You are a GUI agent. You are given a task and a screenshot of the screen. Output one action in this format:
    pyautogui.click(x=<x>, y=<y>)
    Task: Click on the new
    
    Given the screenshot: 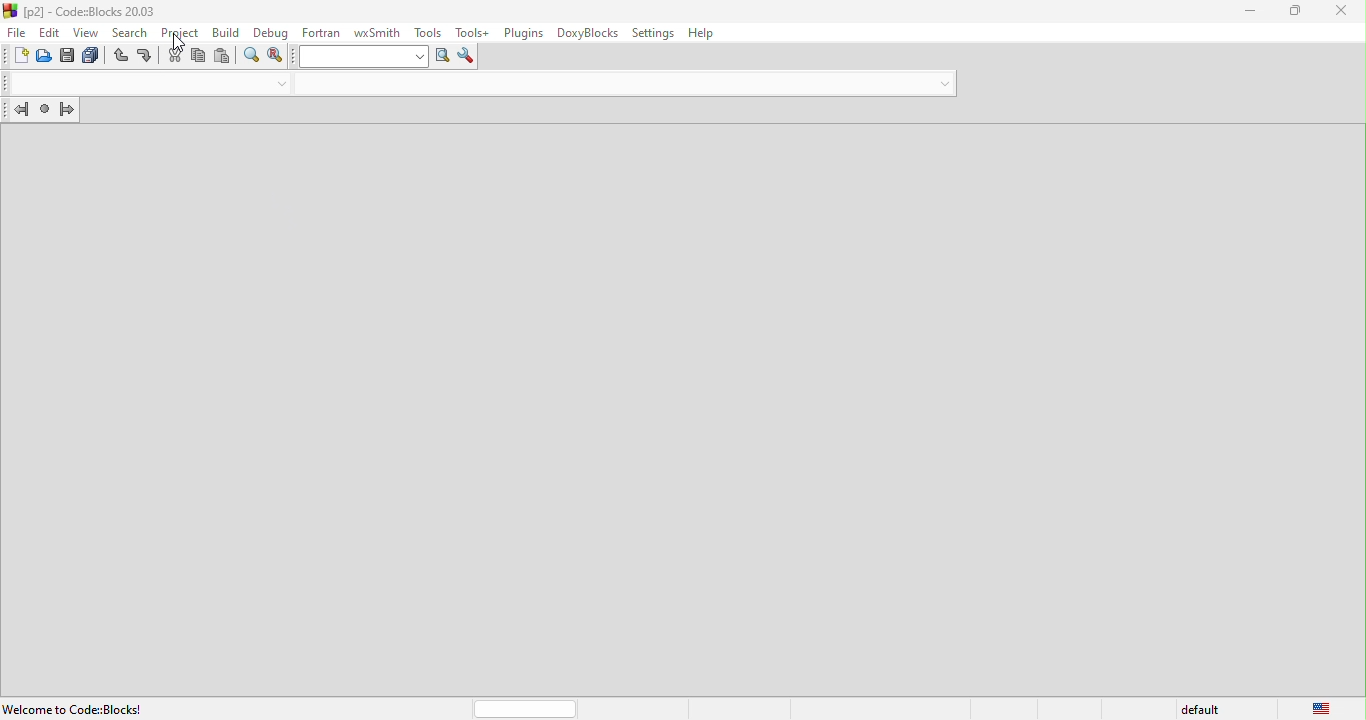 What is the action you would take?
    pyautogui.click(x=15, y=58)
    